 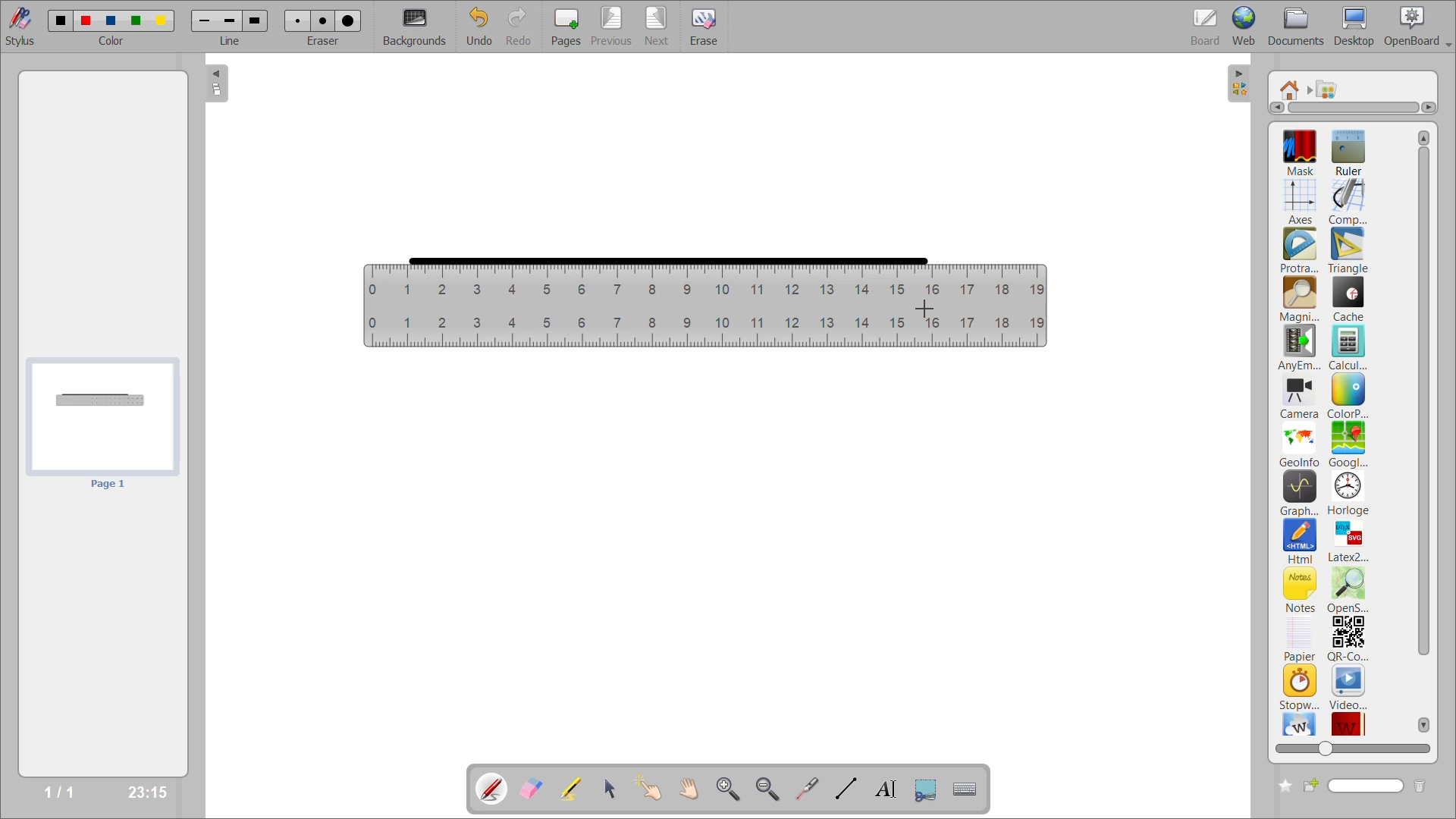 What do you see at coordinates (110, 20) in the screenshot?
I see `color 3` at bounding box center [110, 20].